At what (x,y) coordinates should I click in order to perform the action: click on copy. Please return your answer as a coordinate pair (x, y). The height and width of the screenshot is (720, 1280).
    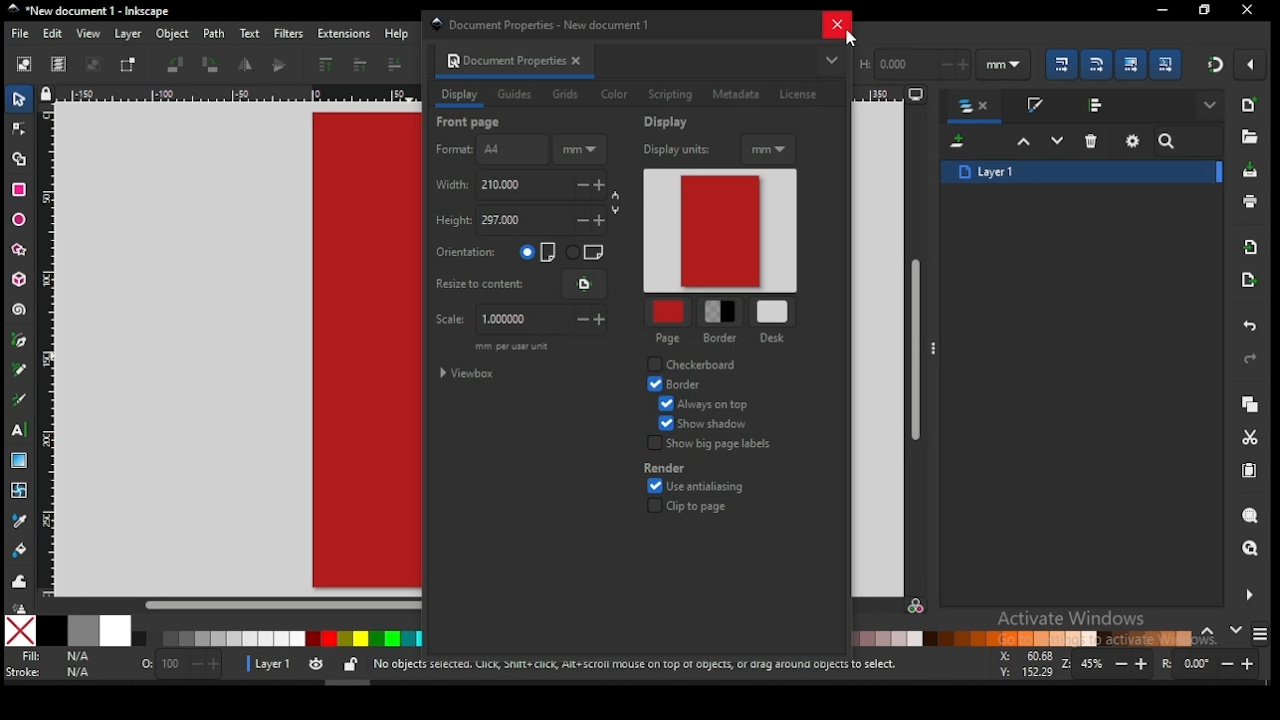
    Looking at the image, I should click on (1249, 405).